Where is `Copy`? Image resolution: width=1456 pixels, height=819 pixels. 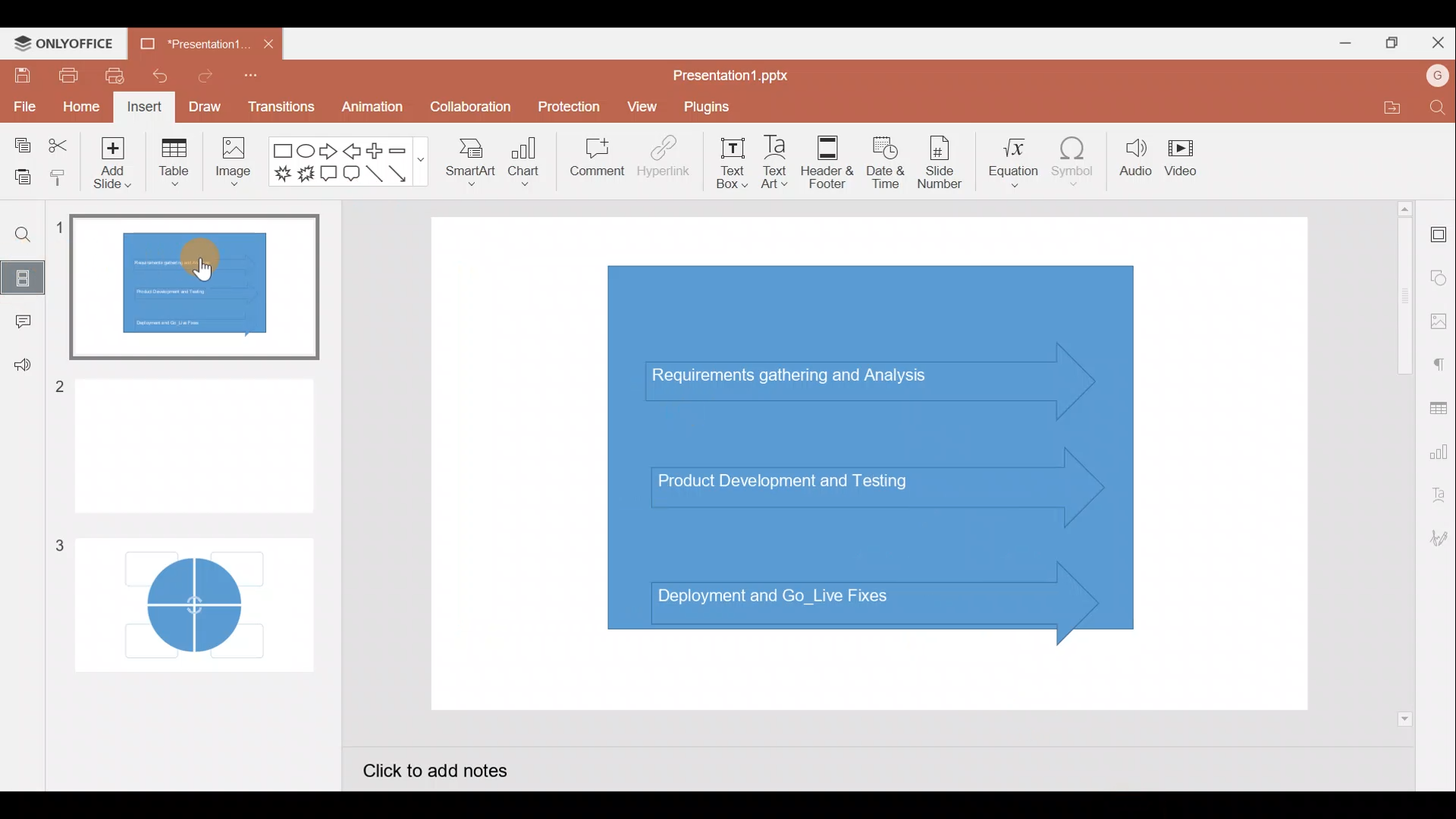
Copy is located at coordinates (22, 141).